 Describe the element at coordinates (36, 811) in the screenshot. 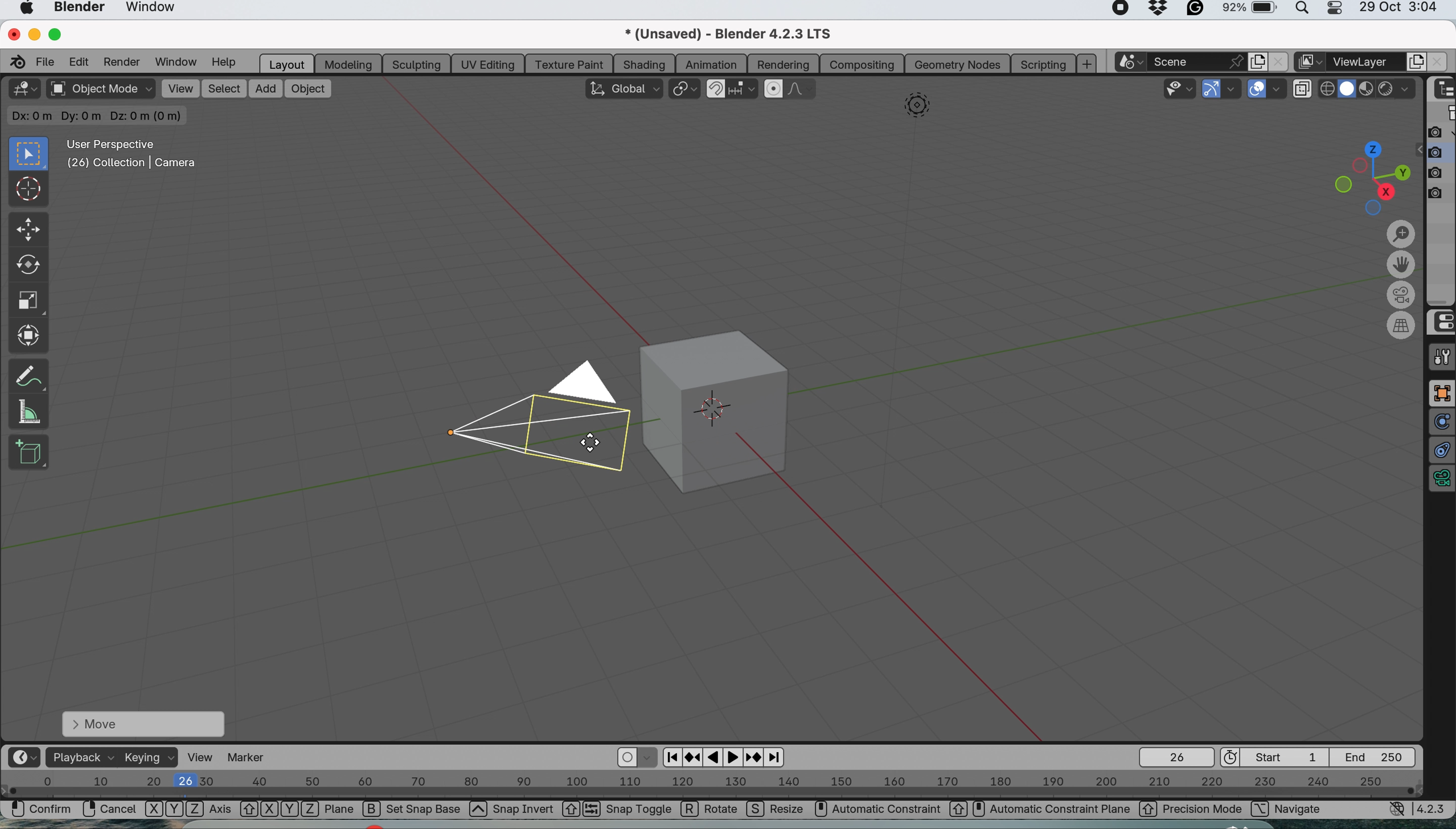

I see `confirm` at that location.